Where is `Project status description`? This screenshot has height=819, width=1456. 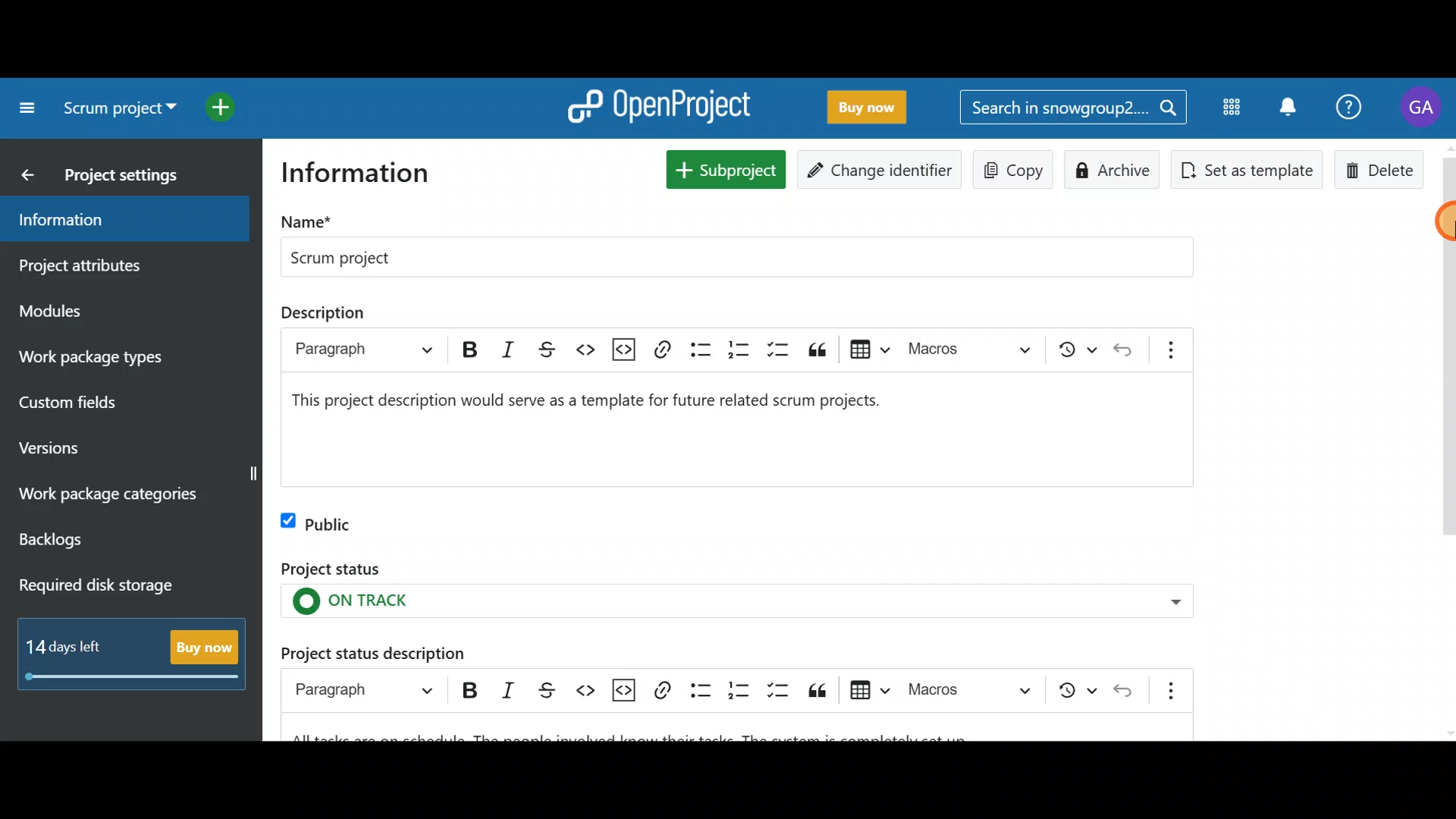 Project status description is located at coordinates (742, 730).